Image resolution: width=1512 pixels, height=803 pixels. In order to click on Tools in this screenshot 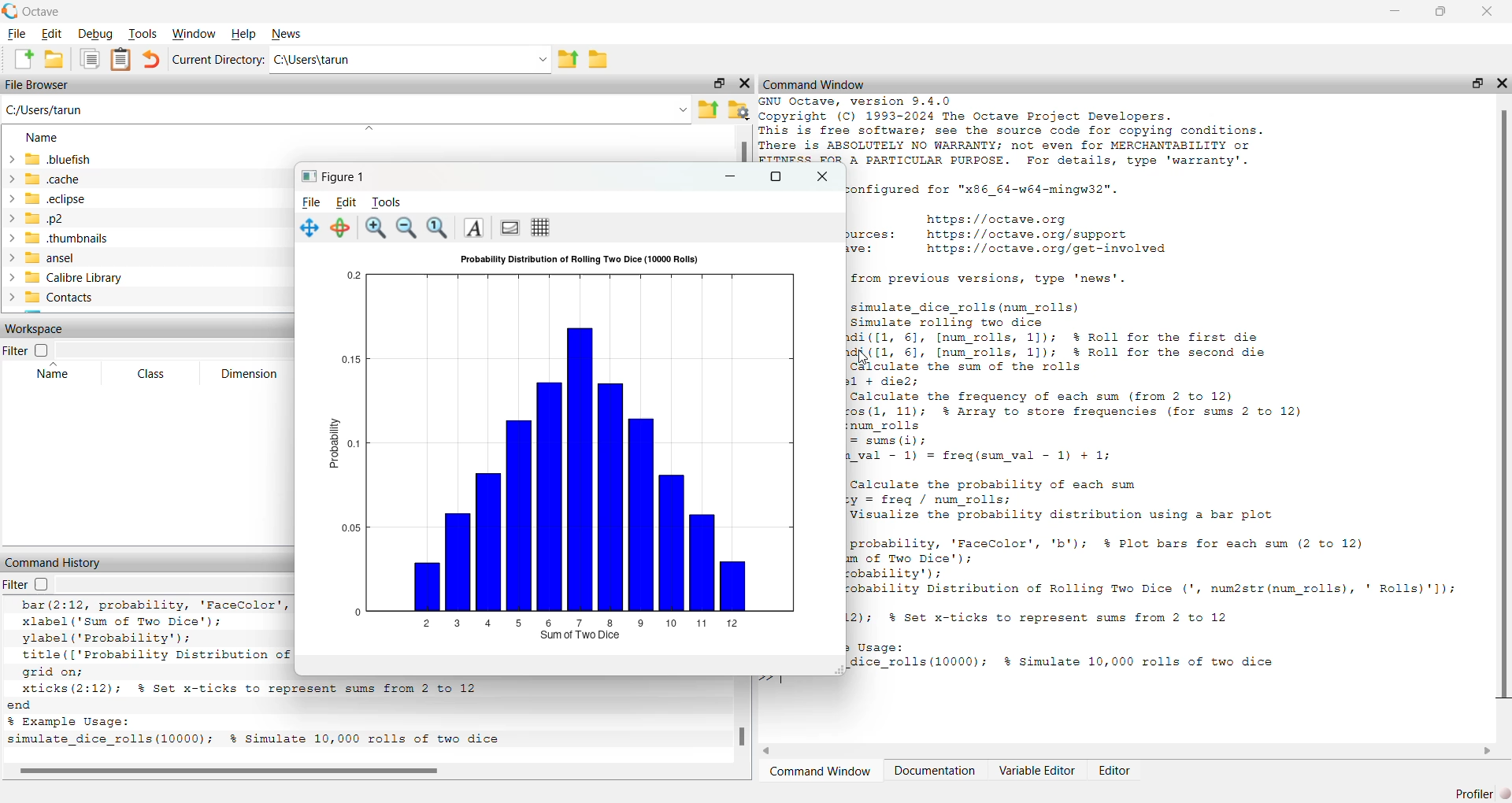, I will do `click(391, 203)`.